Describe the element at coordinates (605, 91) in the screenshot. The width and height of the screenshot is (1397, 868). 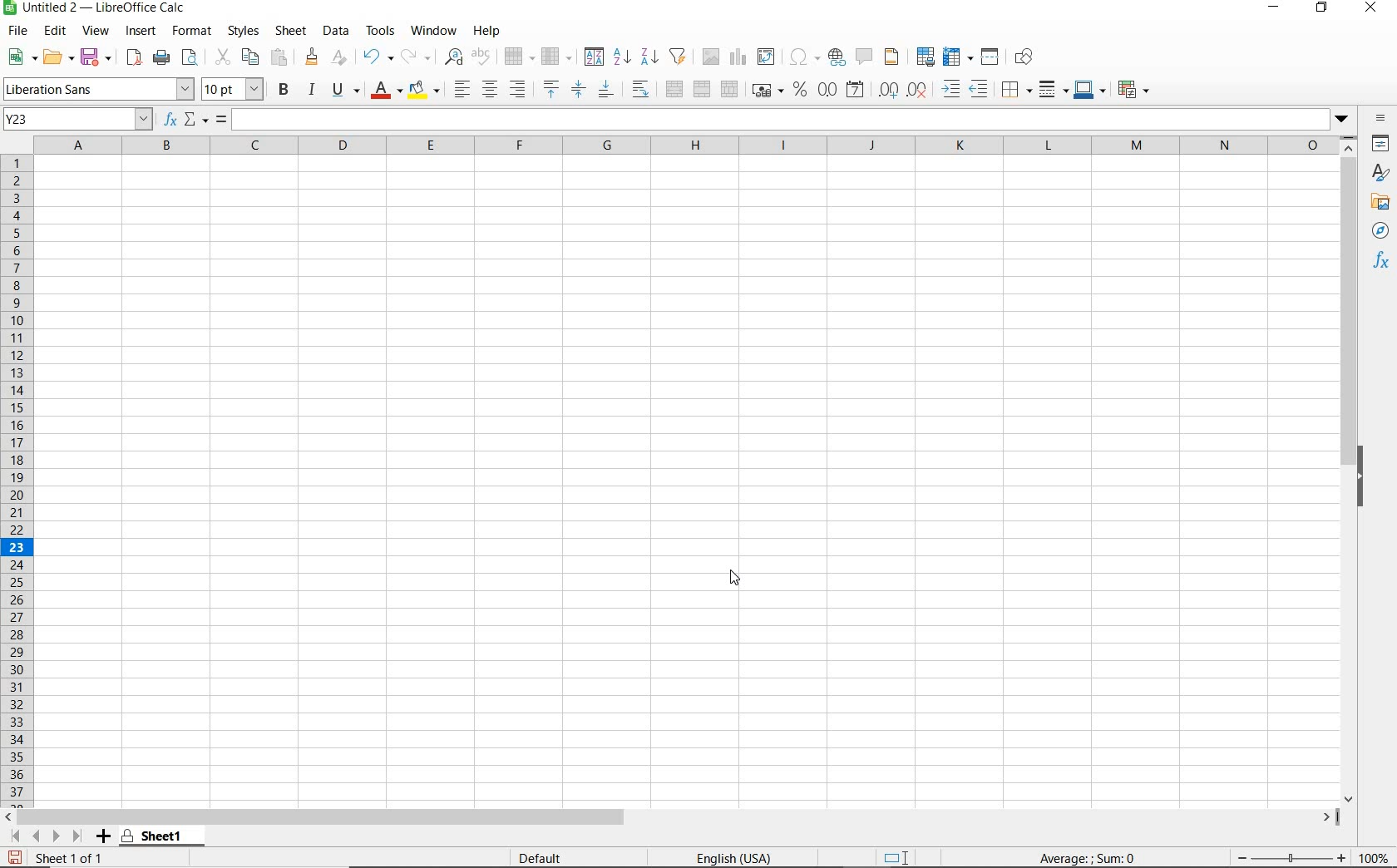
I see `ALIGN BOTTOM` at that location.